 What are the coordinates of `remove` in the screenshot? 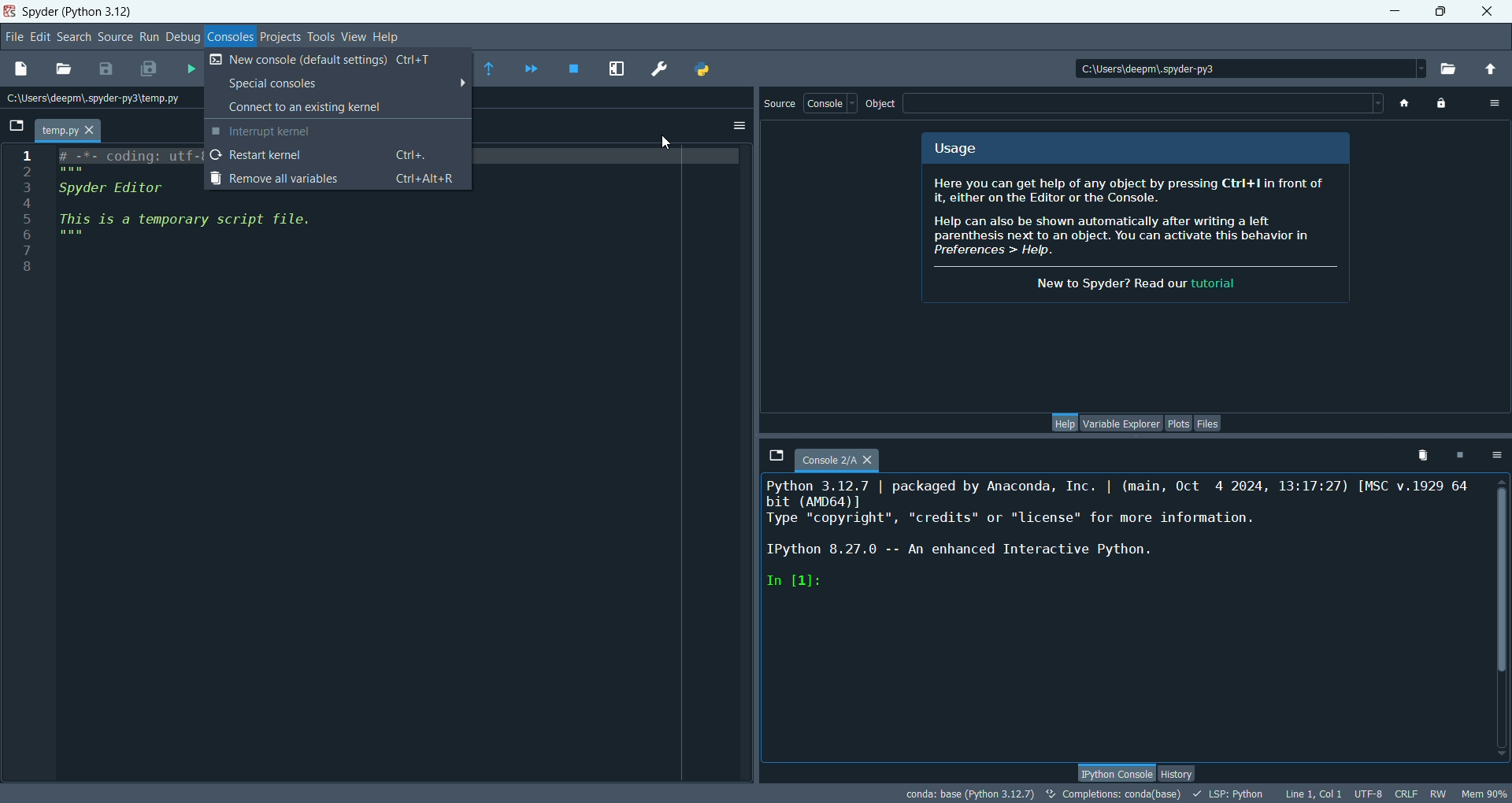 It's located at (1420, 456).